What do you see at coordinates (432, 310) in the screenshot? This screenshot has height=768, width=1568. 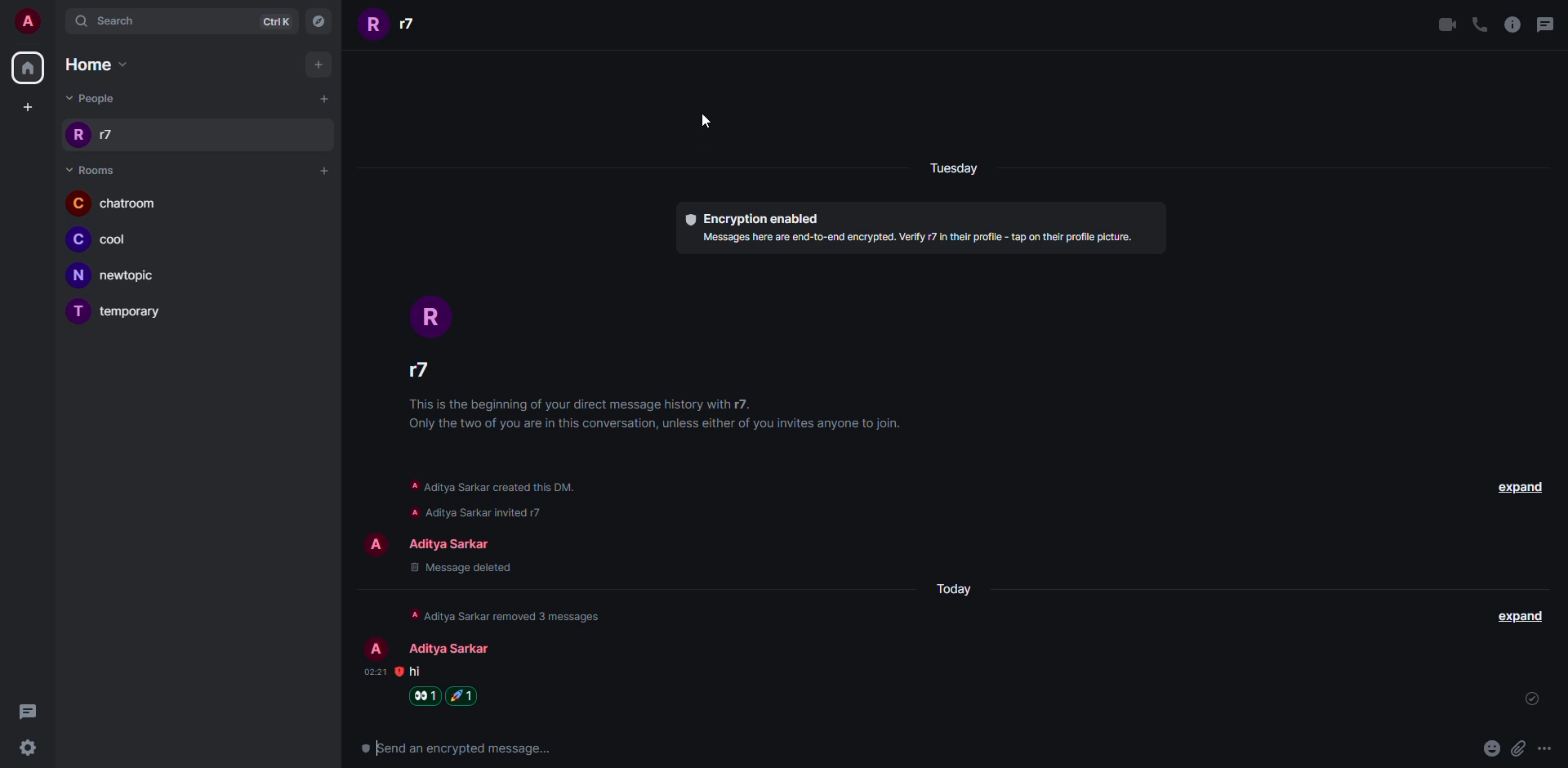 I see `profile` at bounding box center [432, 310].